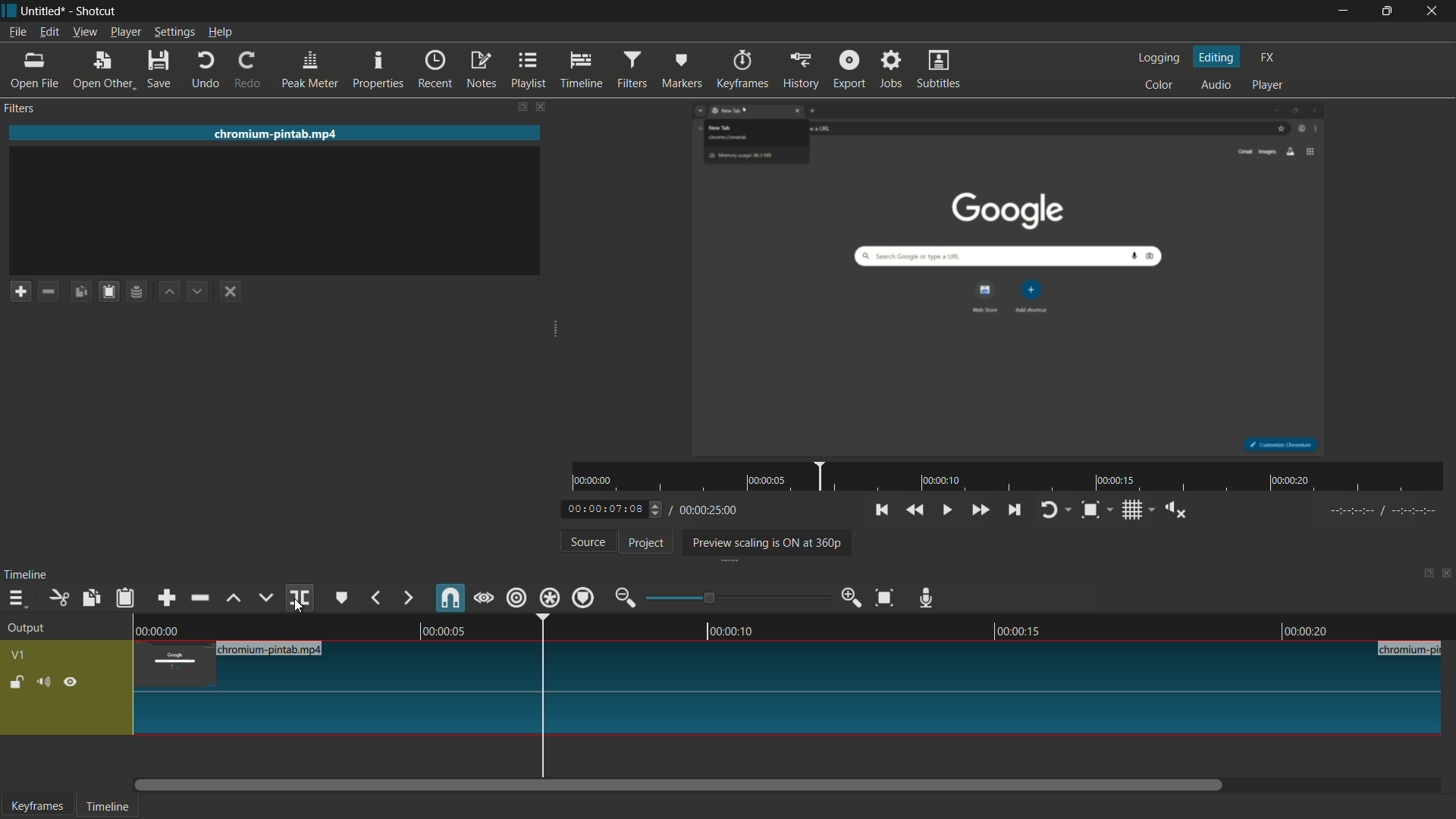 The height and width of the screenshot is (819, 1456). Describe the element at coordinates (733, 628) in the screenshot. I see `0.0010` at that location.